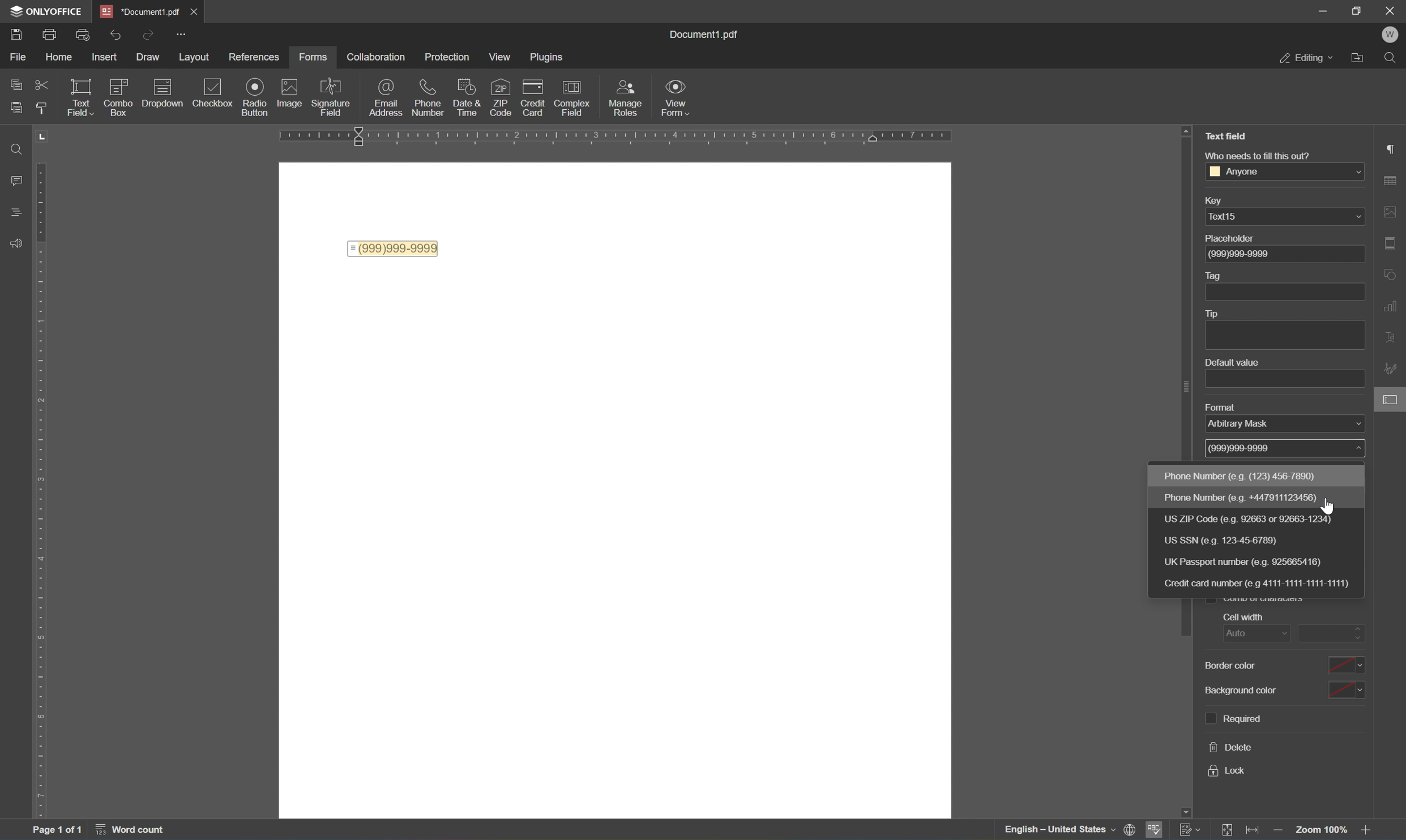 The height and width of the screenshot is (840, 1406). I want to click on drop down, so click(1353, 172).